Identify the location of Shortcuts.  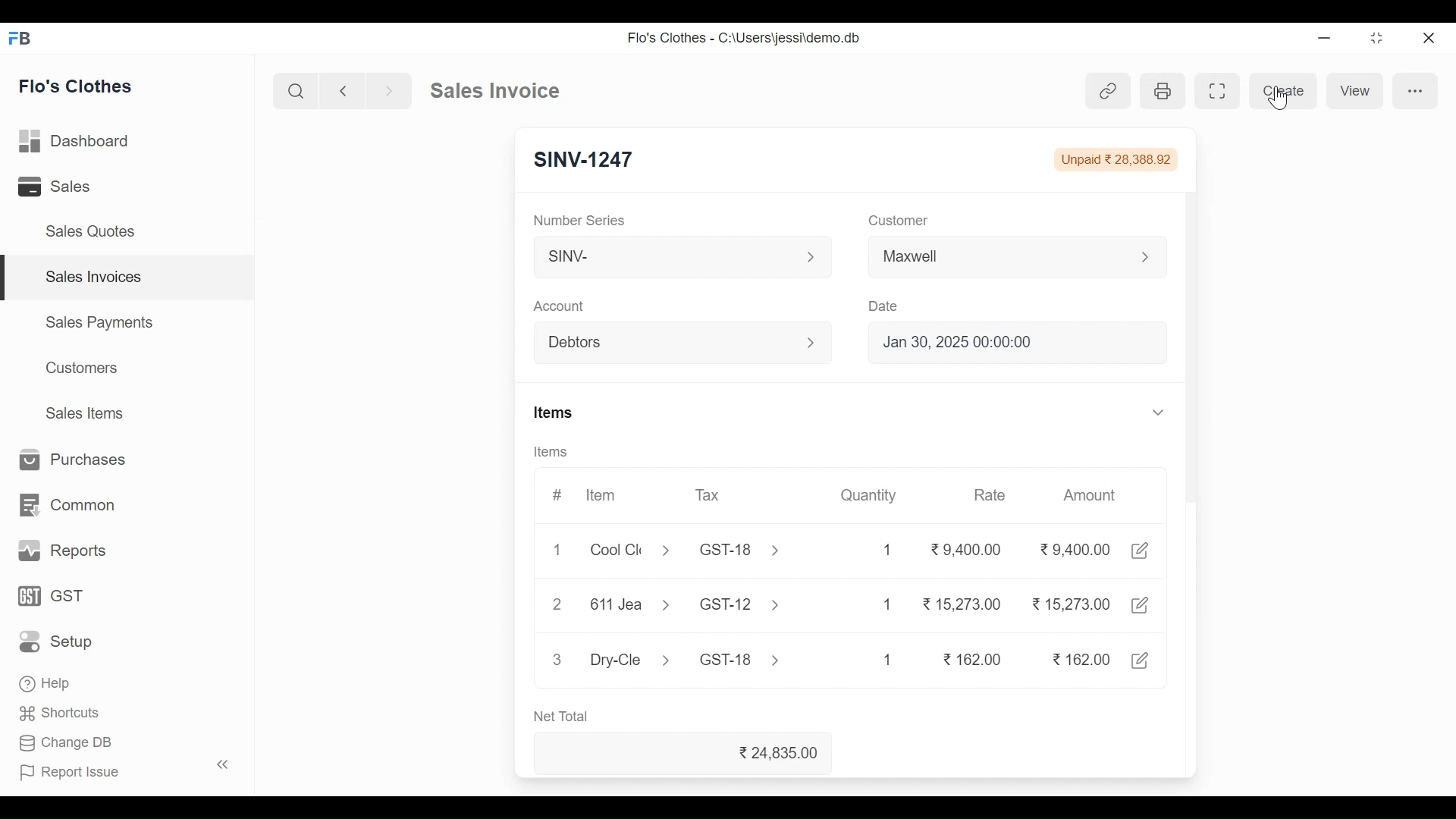
(61, 716).